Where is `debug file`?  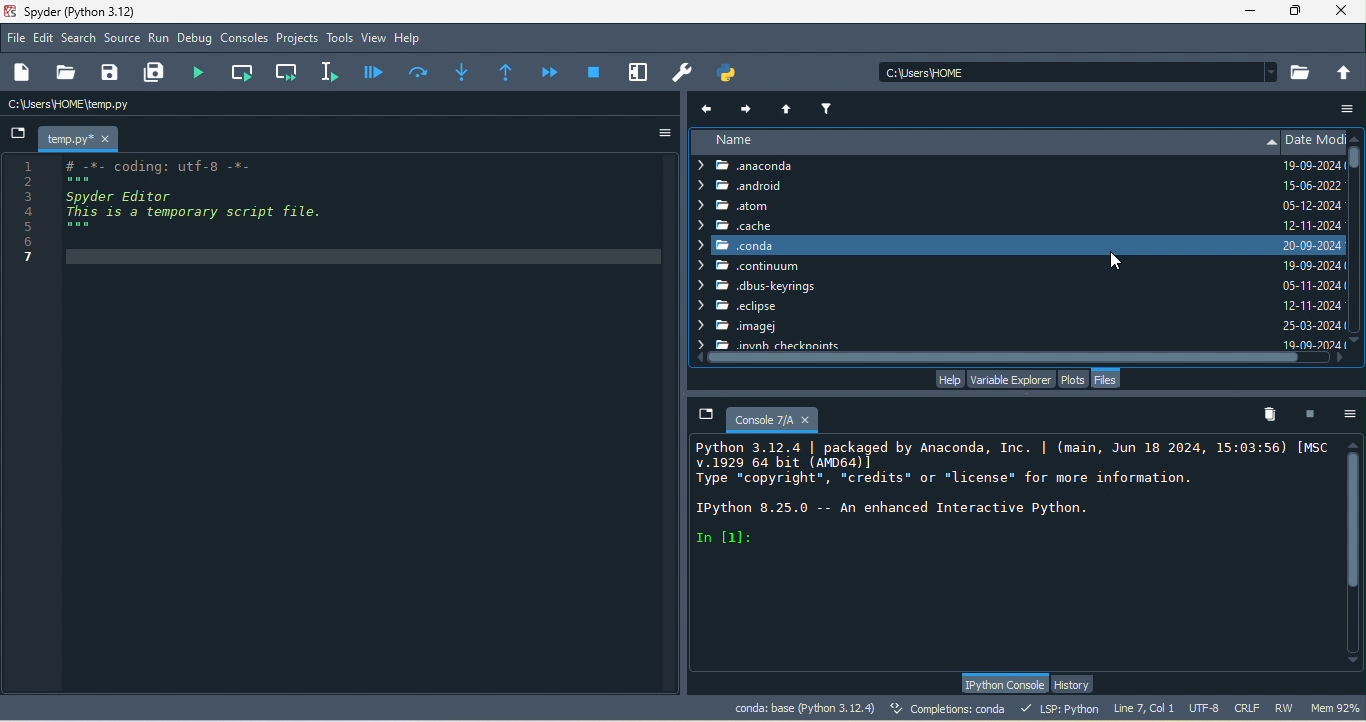 debug file is located at coordinates (374, 71).